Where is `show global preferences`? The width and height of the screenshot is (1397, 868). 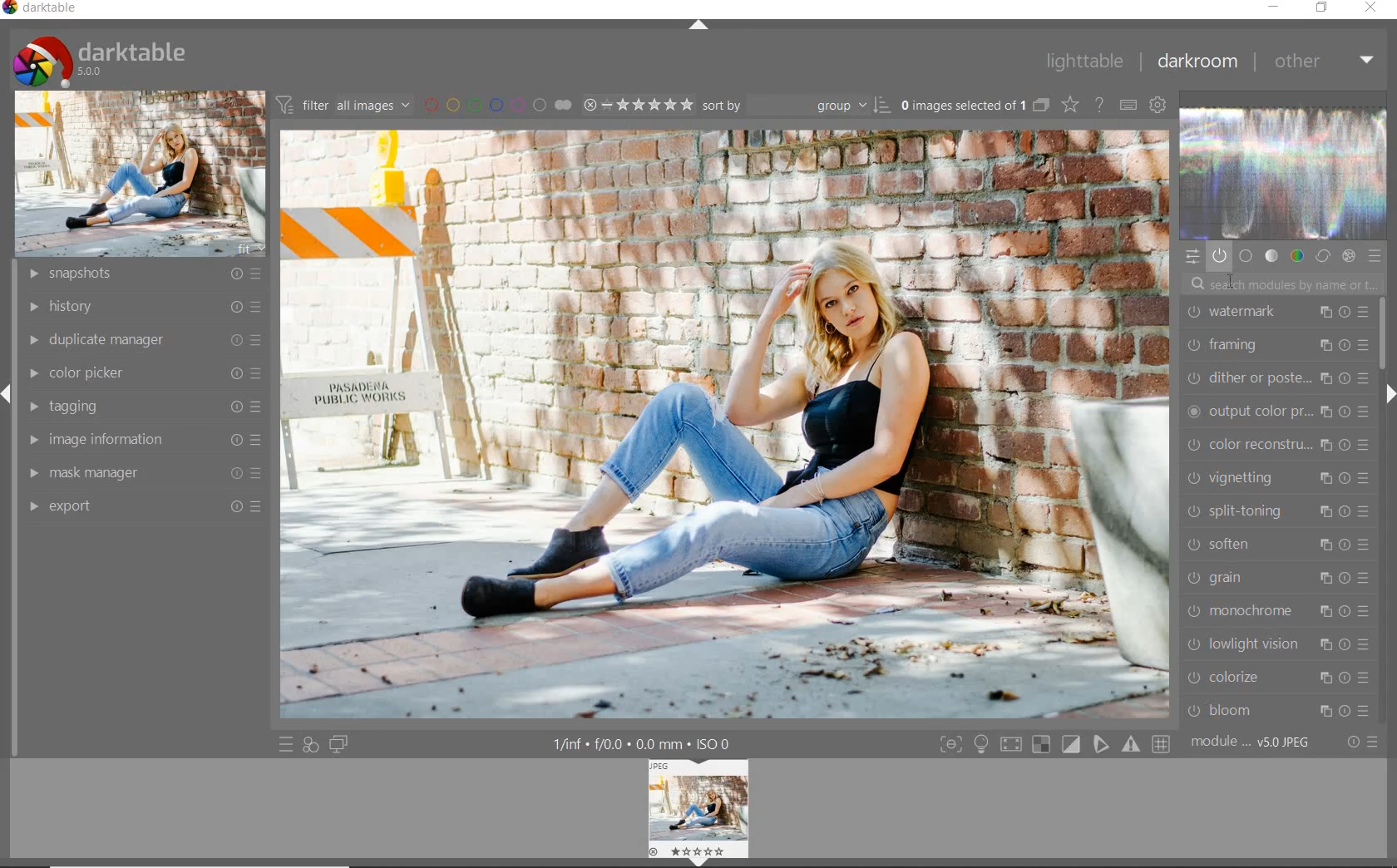 show global preferences is located at coordinates (1160, 106).